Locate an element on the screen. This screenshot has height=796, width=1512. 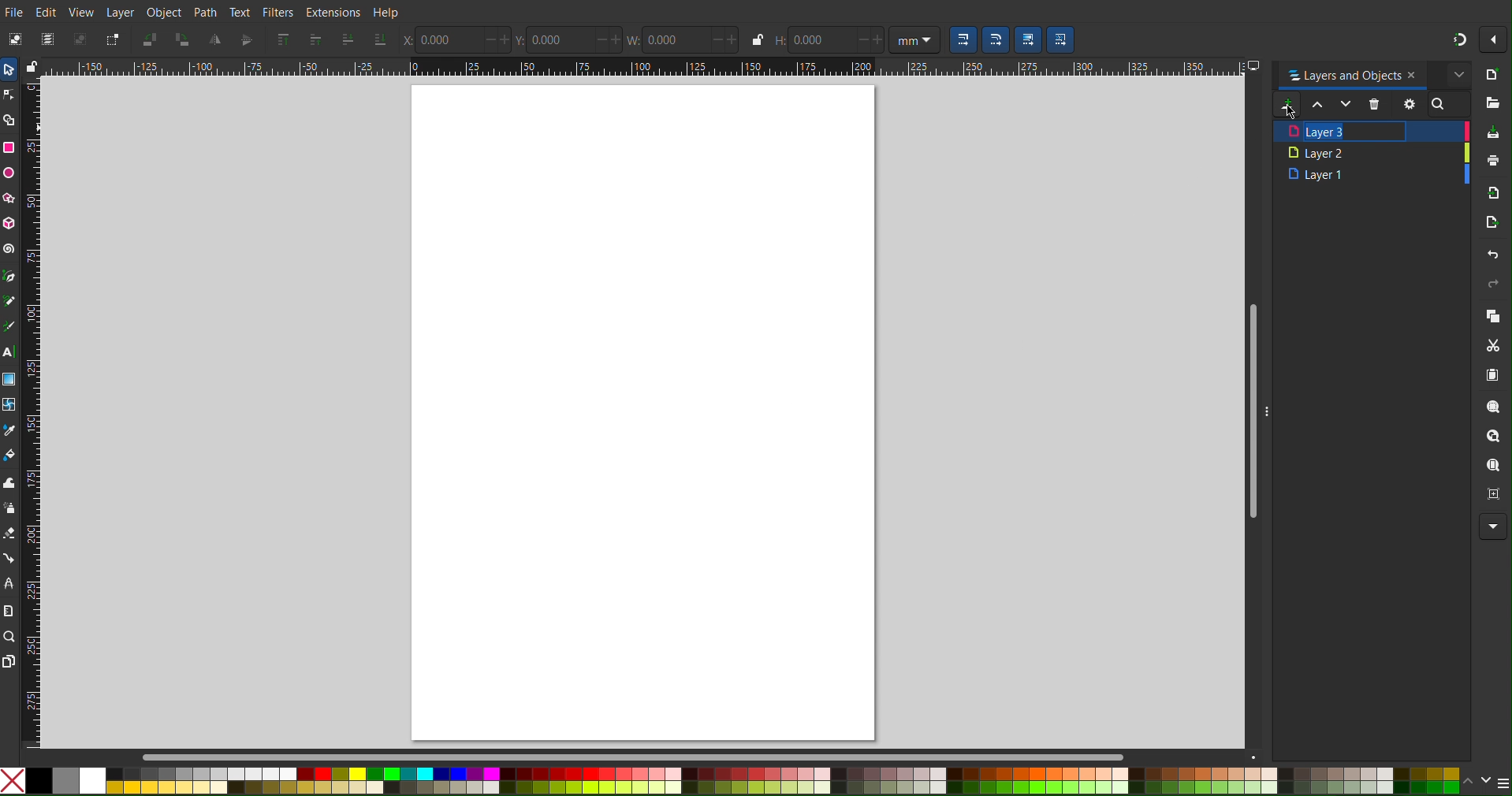
Line Color is located at coordinates (10, 430).